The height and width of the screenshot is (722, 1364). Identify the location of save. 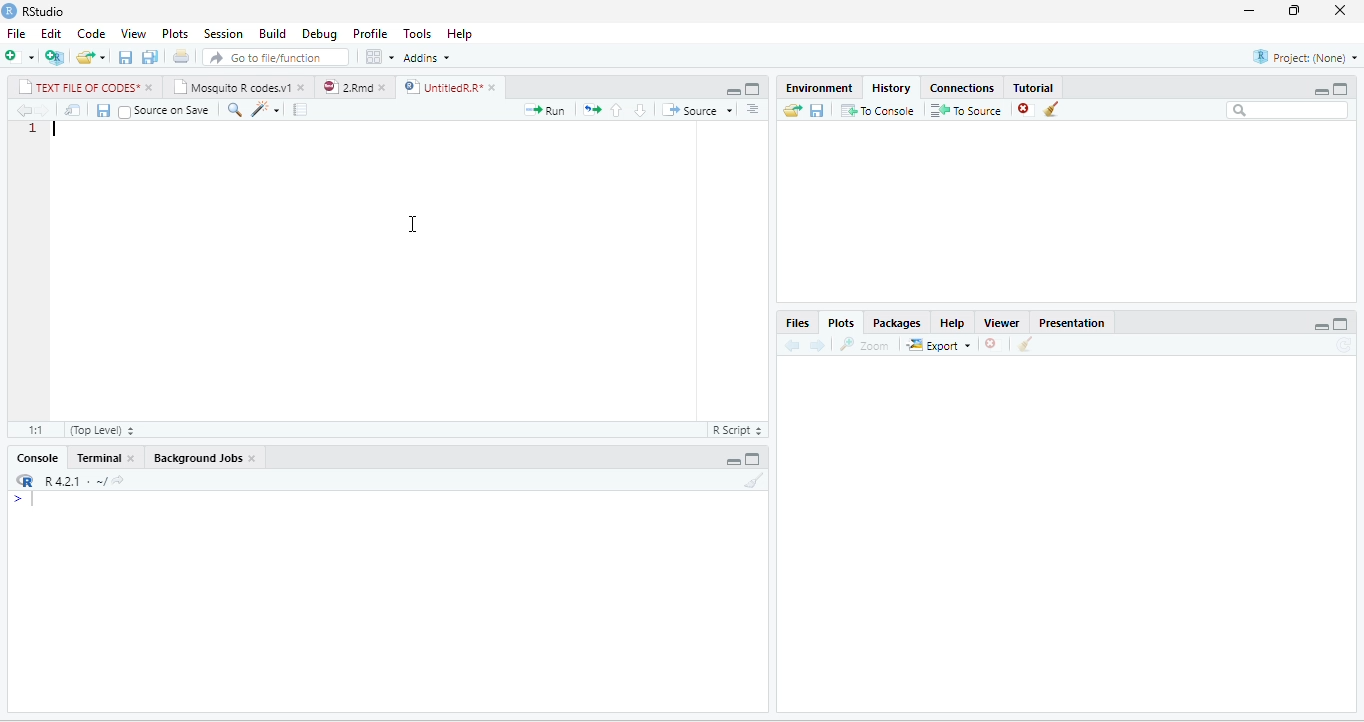
(103, 110).